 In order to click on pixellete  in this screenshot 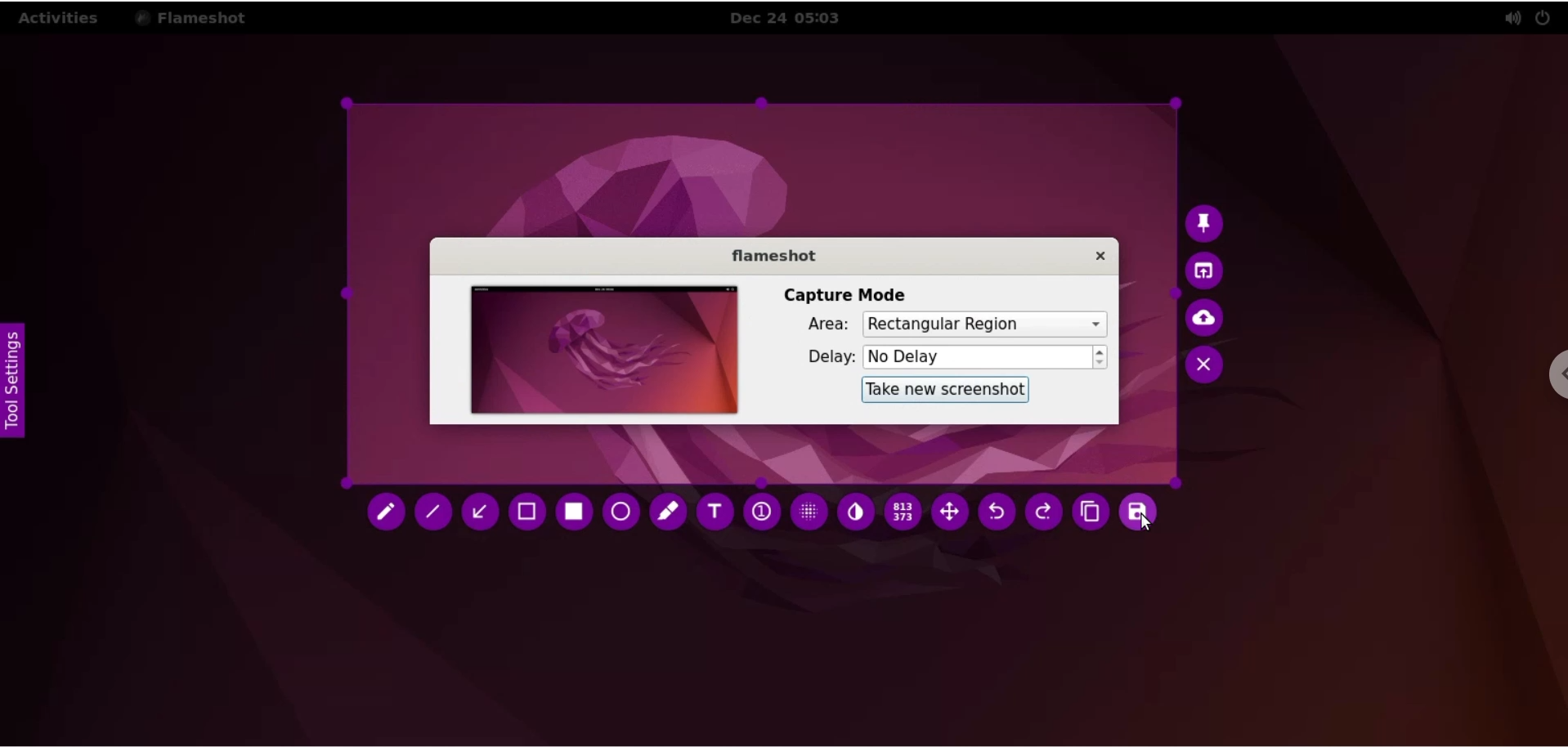, I will do `click(810, 516)`.